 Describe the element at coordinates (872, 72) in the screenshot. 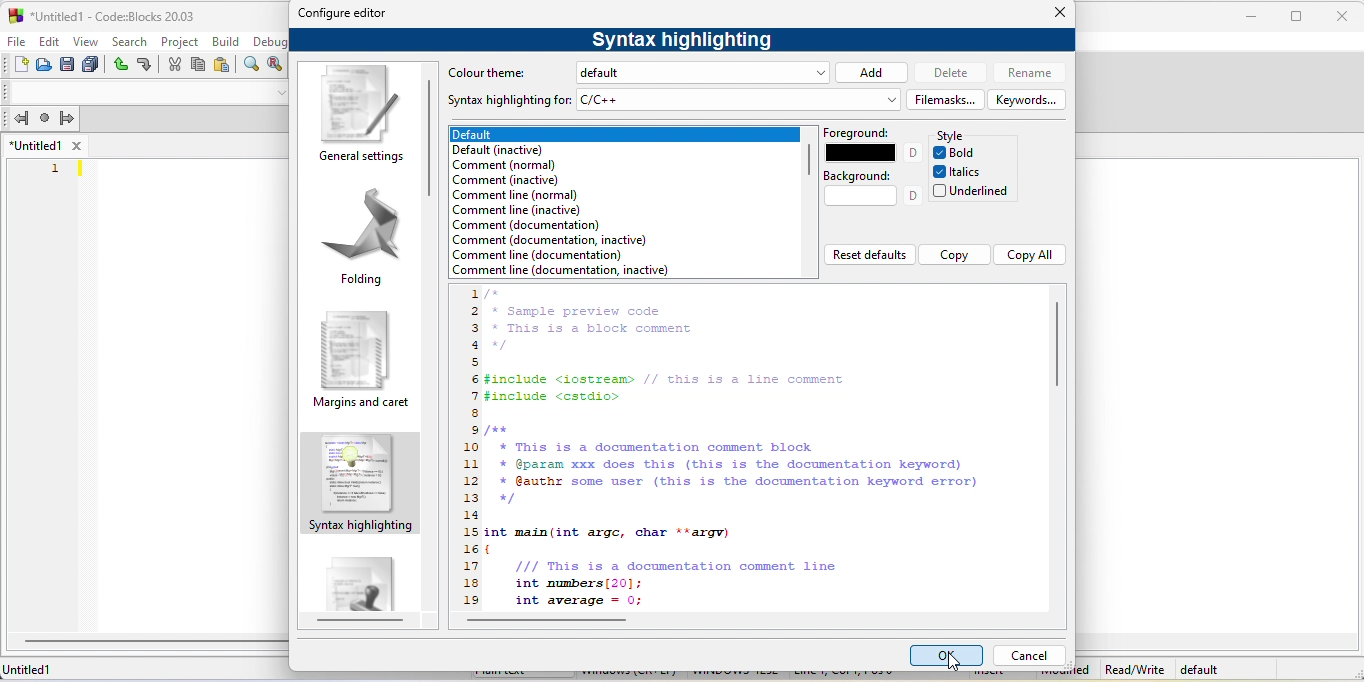

I see `add` at that location.